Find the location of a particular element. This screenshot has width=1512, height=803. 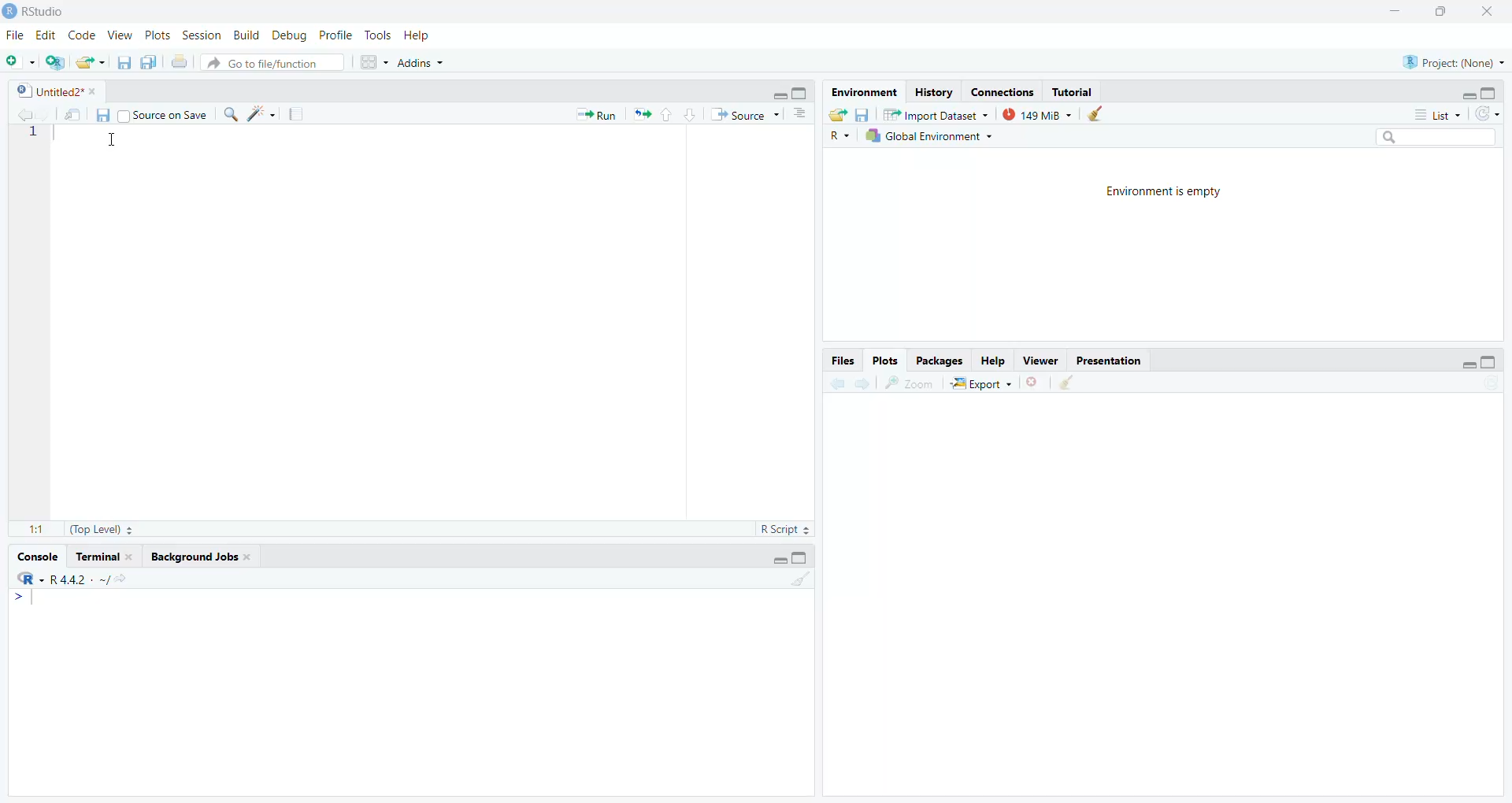

Compile Report (Ctrl + Shift + K) is located at coordinates (296, 114).